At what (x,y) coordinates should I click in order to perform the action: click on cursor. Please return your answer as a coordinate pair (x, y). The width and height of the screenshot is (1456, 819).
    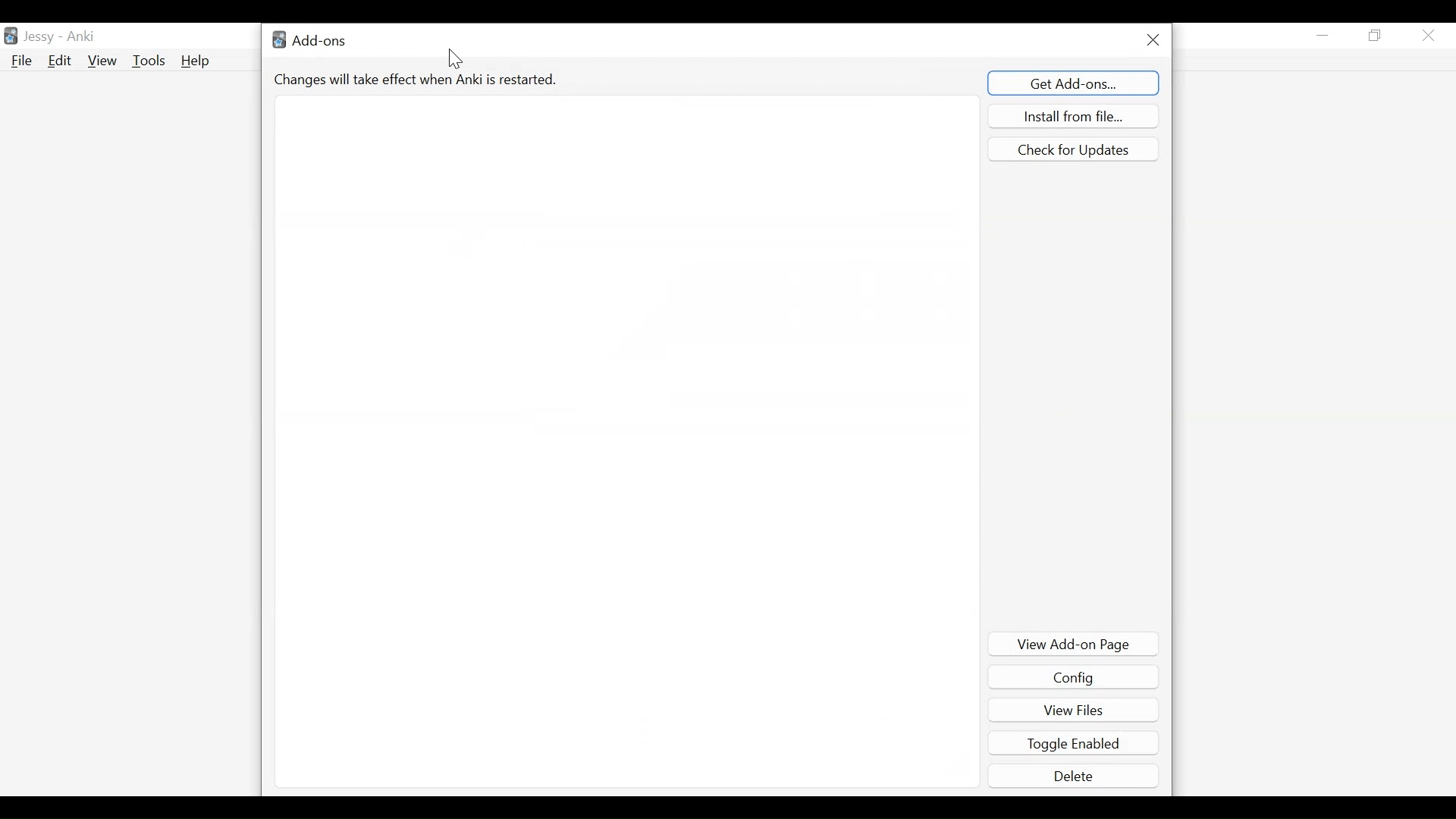
    Looking at the image, I should click on (457, 60).